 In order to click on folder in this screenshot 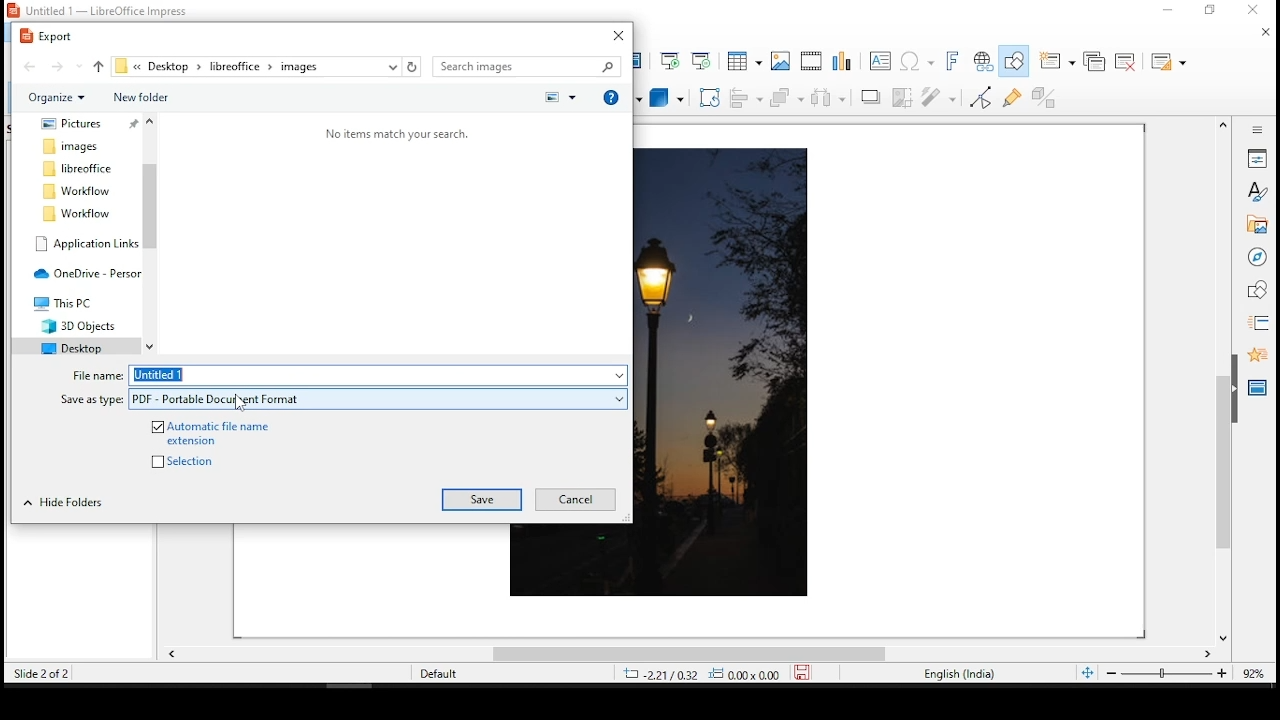, I will do `click(76, 191)`.